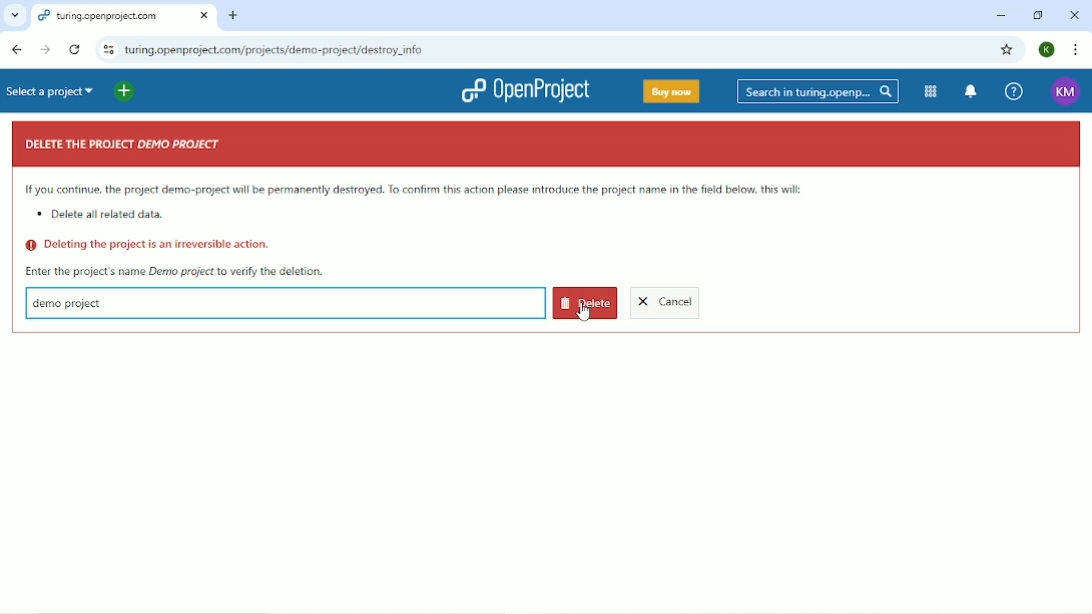  Describe the element at coordinates (74, 49) in the screenshot. I see `Reload this page` at that location.